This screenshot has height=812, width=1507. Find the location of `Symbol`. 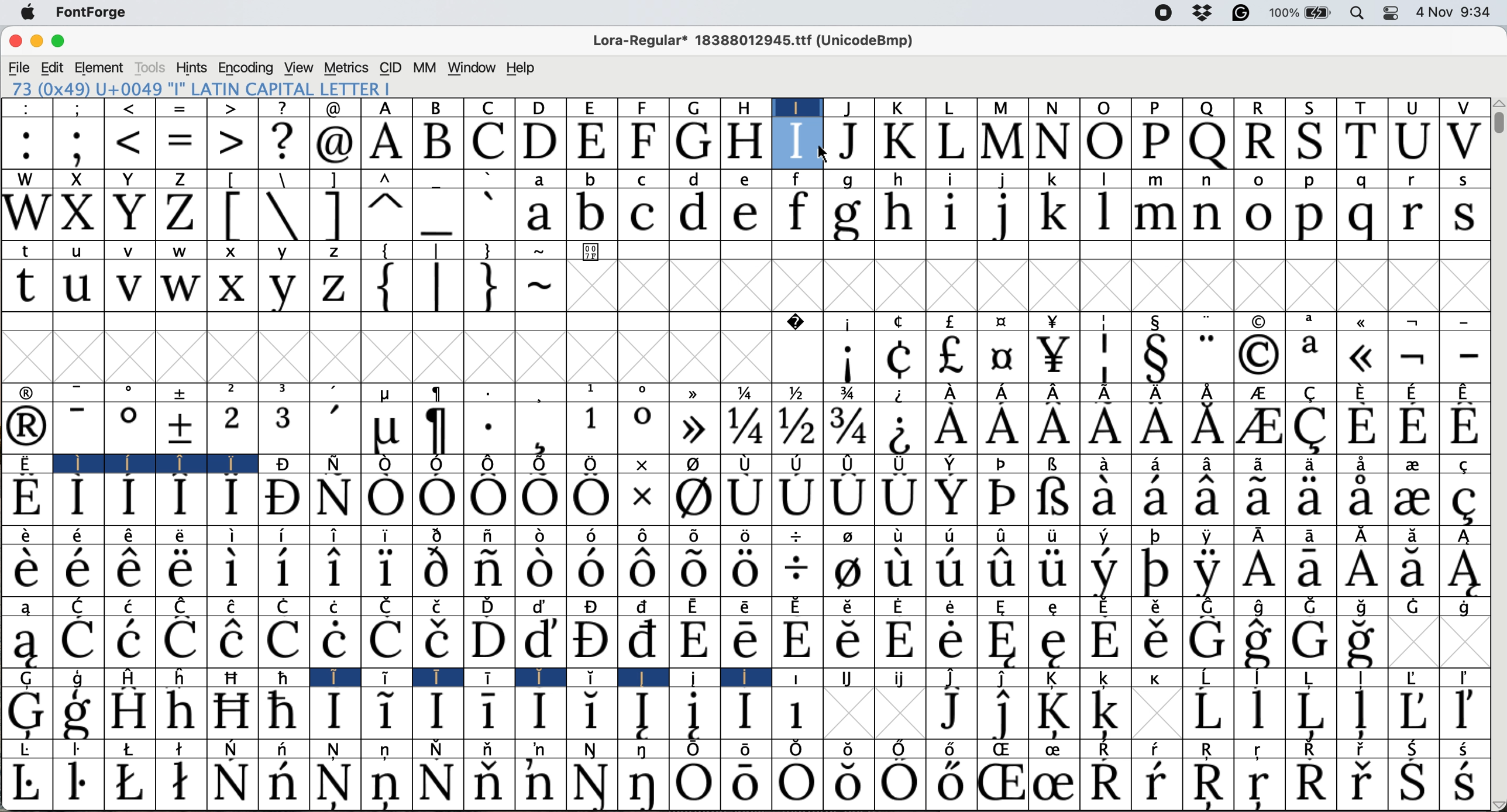

Symbol is located at coordinates (849, 429).